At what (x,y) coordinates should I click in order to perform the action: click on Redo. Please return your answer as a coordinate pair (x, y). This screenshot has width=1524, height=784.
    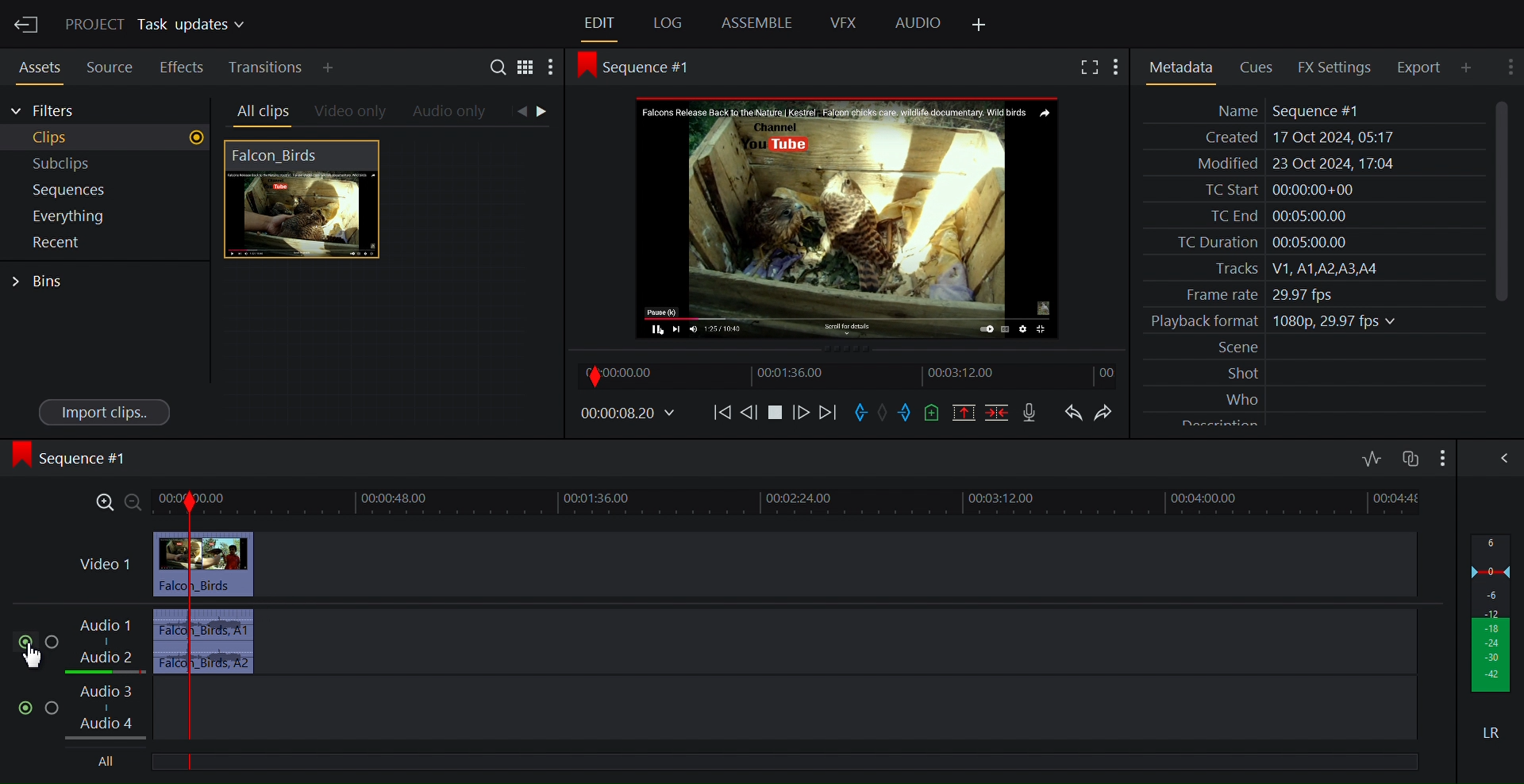
    Looking at the image, I should click on (1109, 413).